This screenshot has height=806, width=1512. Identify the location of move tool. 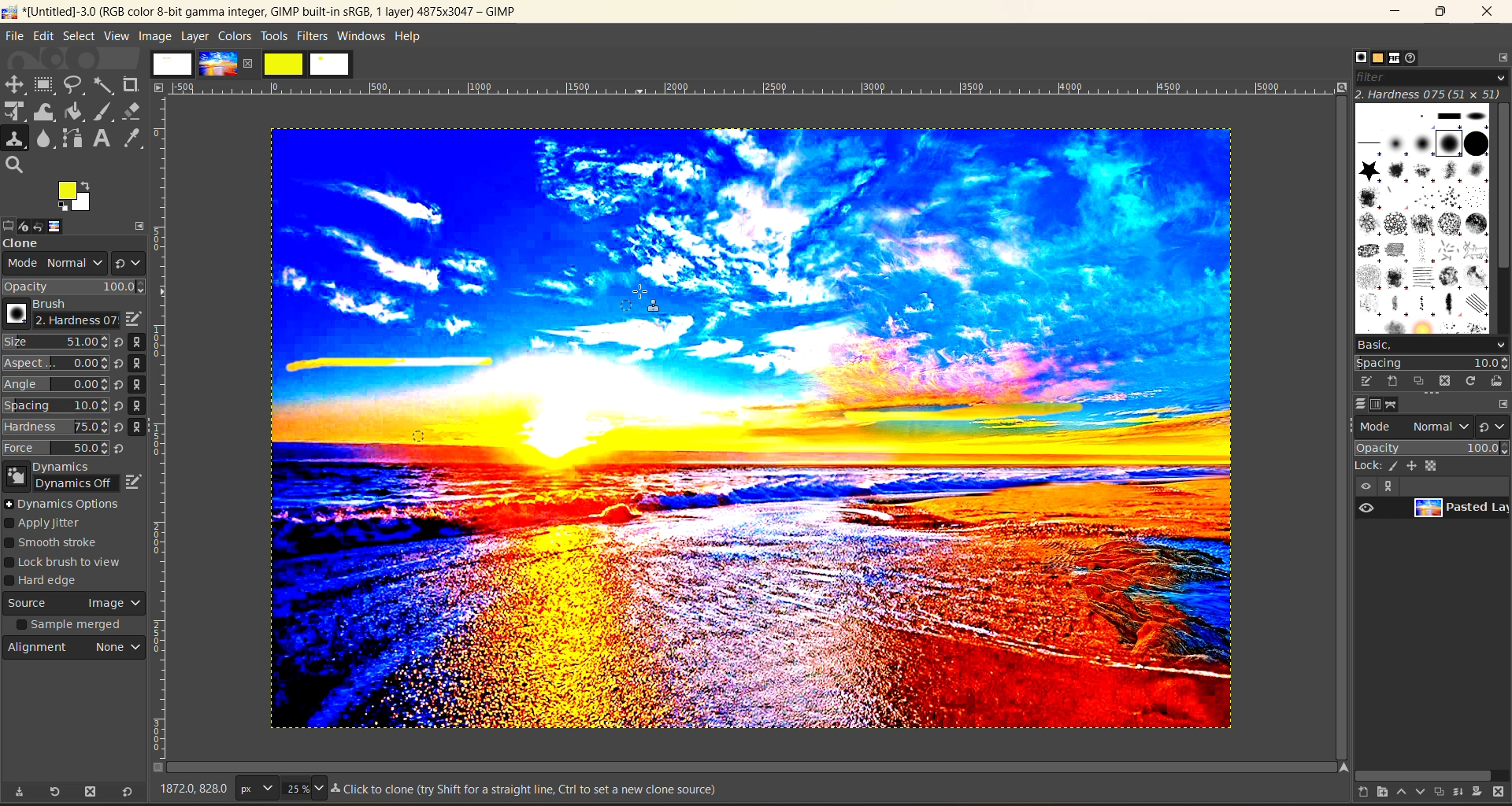
(15, 84).